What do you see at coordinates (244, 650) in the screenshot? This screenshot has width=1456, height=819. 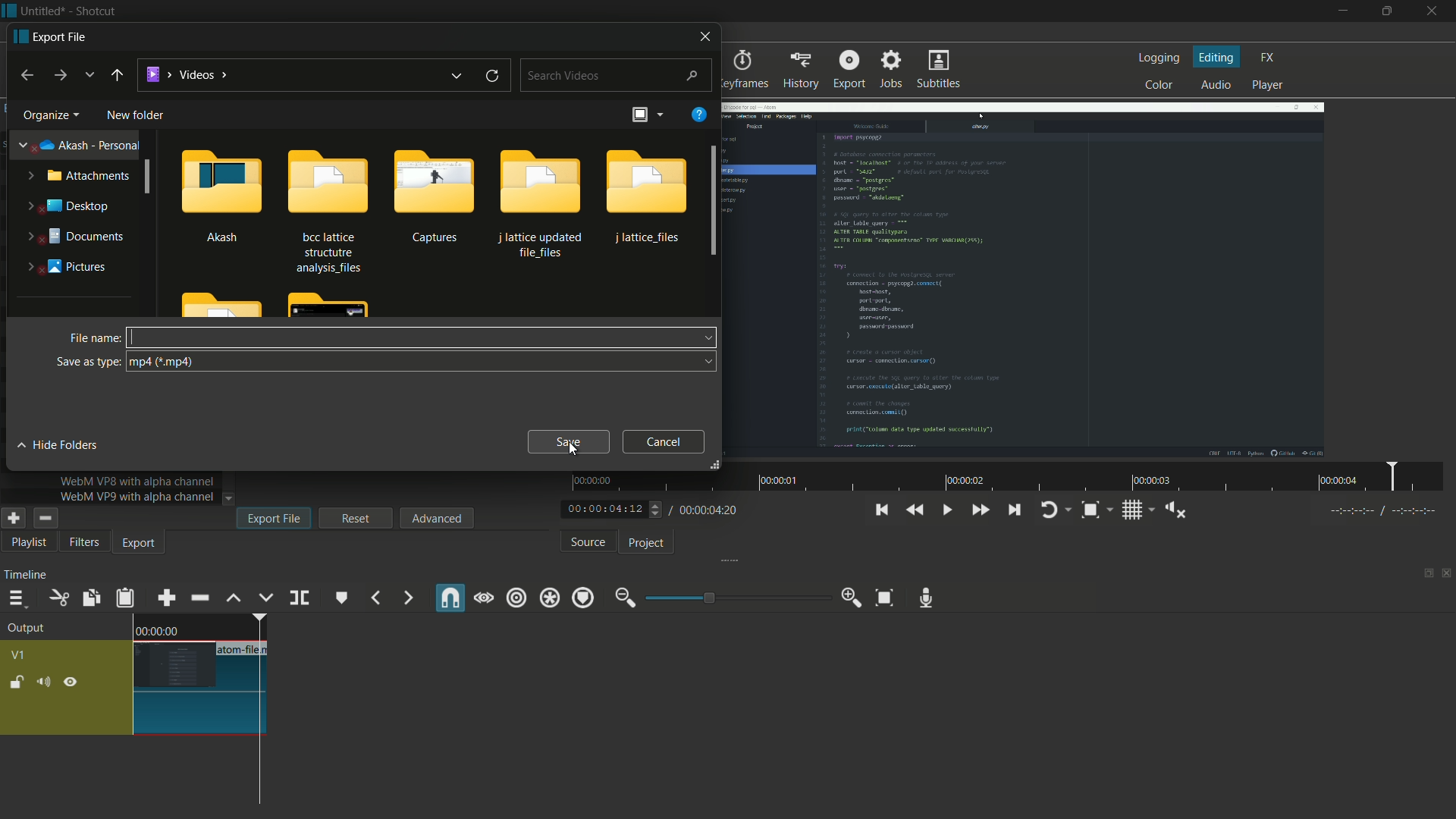 I see `file name` at bounding box center [244, 650].